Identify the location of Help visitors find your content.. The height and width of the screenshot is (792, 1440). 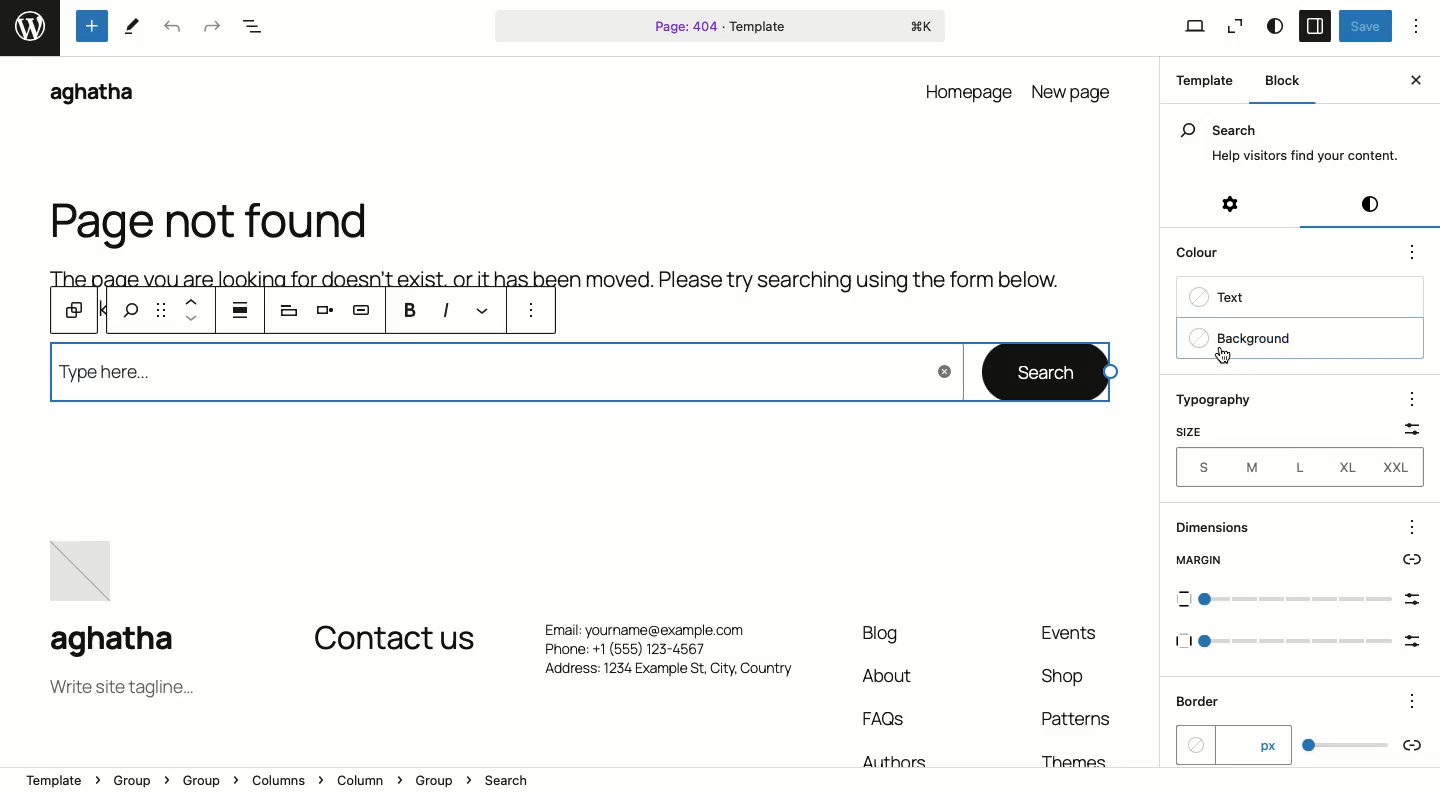
(1302, 157).